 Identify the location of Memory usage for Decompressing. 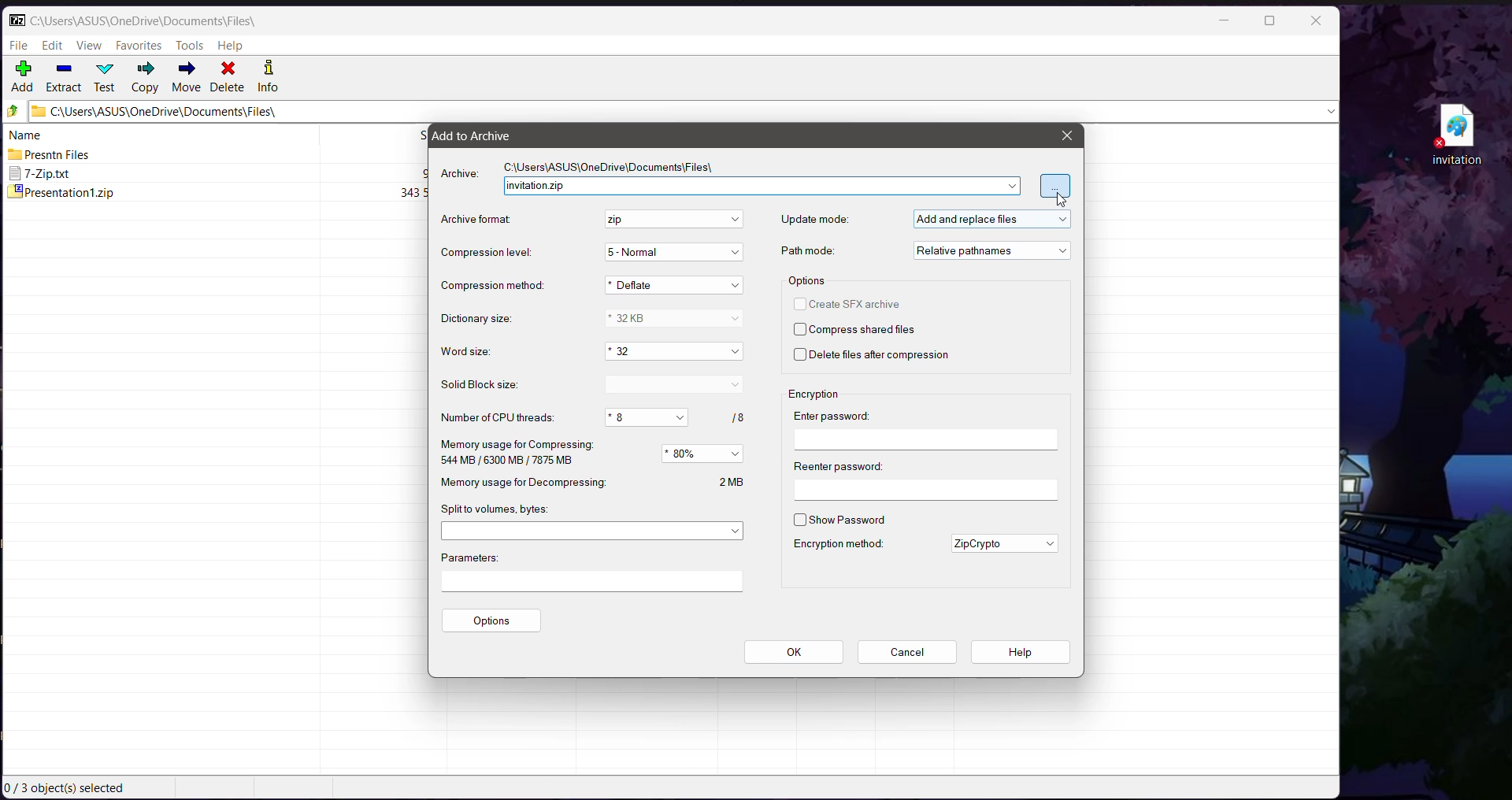
(592, 483).